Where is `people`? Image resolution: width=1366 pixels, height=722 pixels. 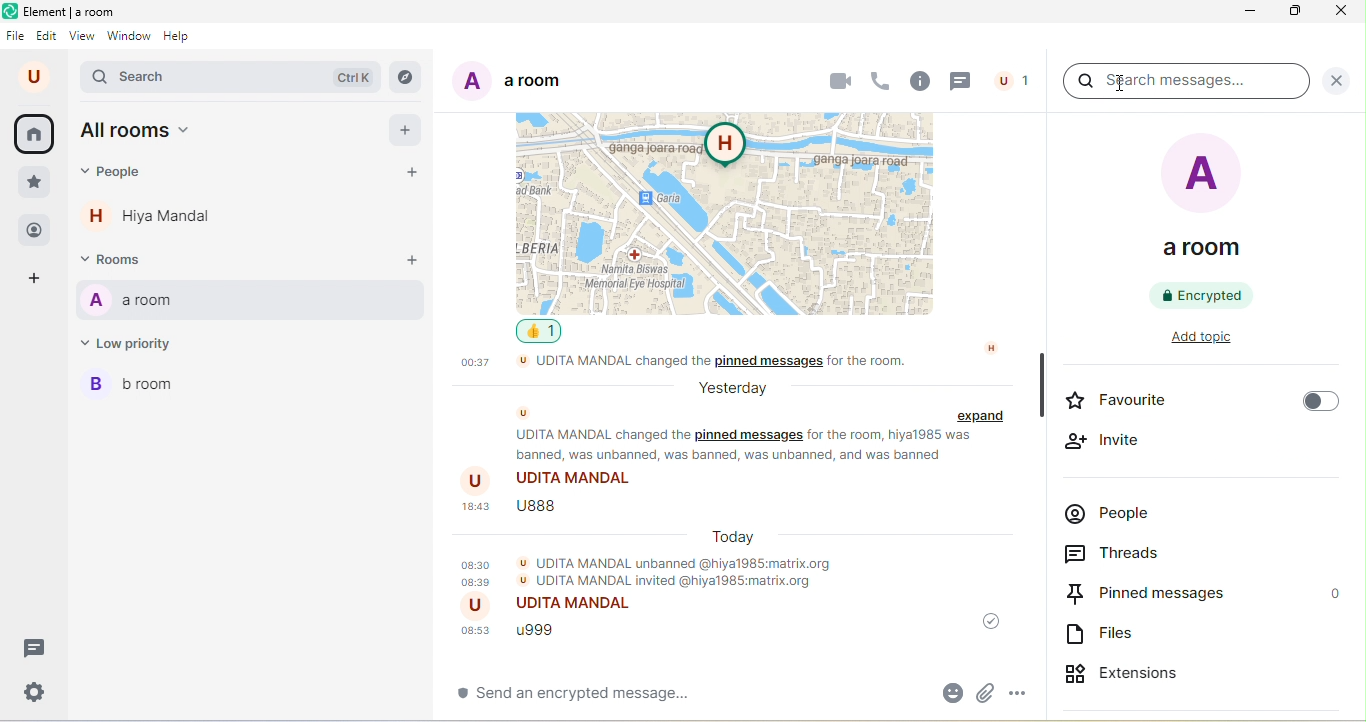
people is located at coordinates (1013, 79).